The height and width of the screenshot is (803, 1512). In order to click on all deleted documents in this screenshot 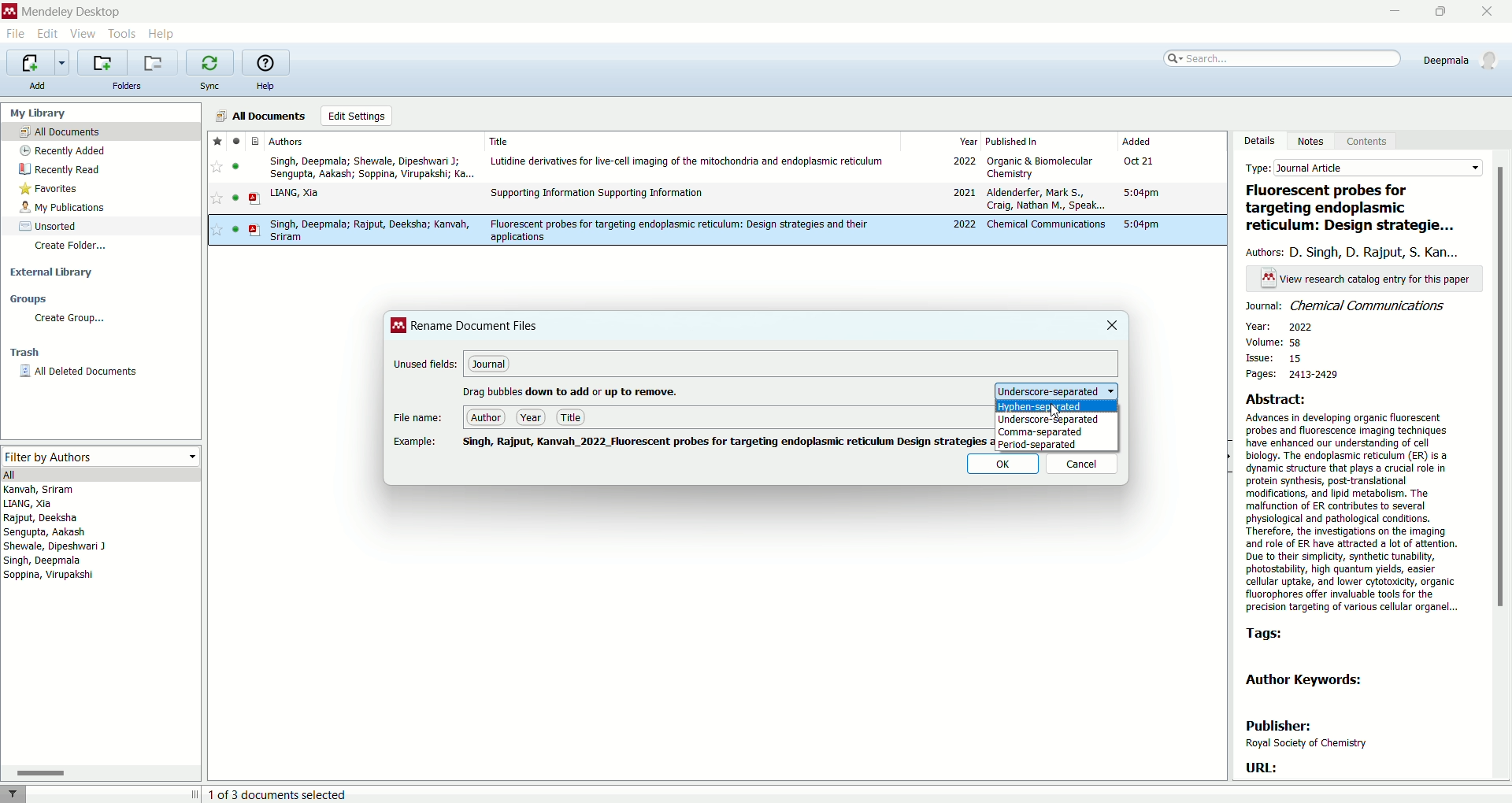, I will do `click(79, 371)`.